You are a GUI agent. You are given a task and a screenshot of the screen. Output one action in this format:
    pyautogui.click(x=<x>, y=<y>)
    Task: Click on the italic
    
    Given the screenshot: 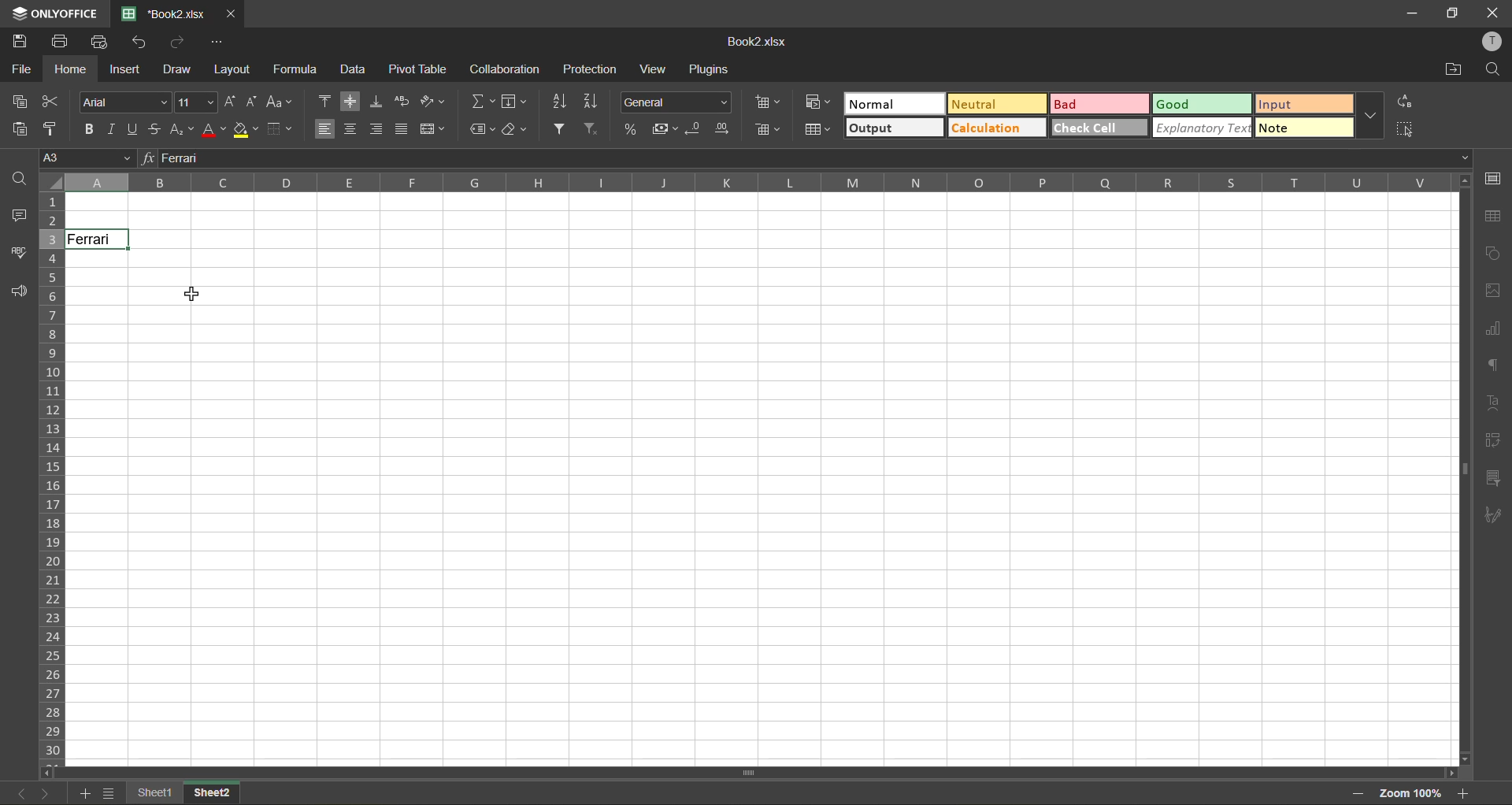 What is the action you would take?
    pyautogui.click(x=113, y=126)
    